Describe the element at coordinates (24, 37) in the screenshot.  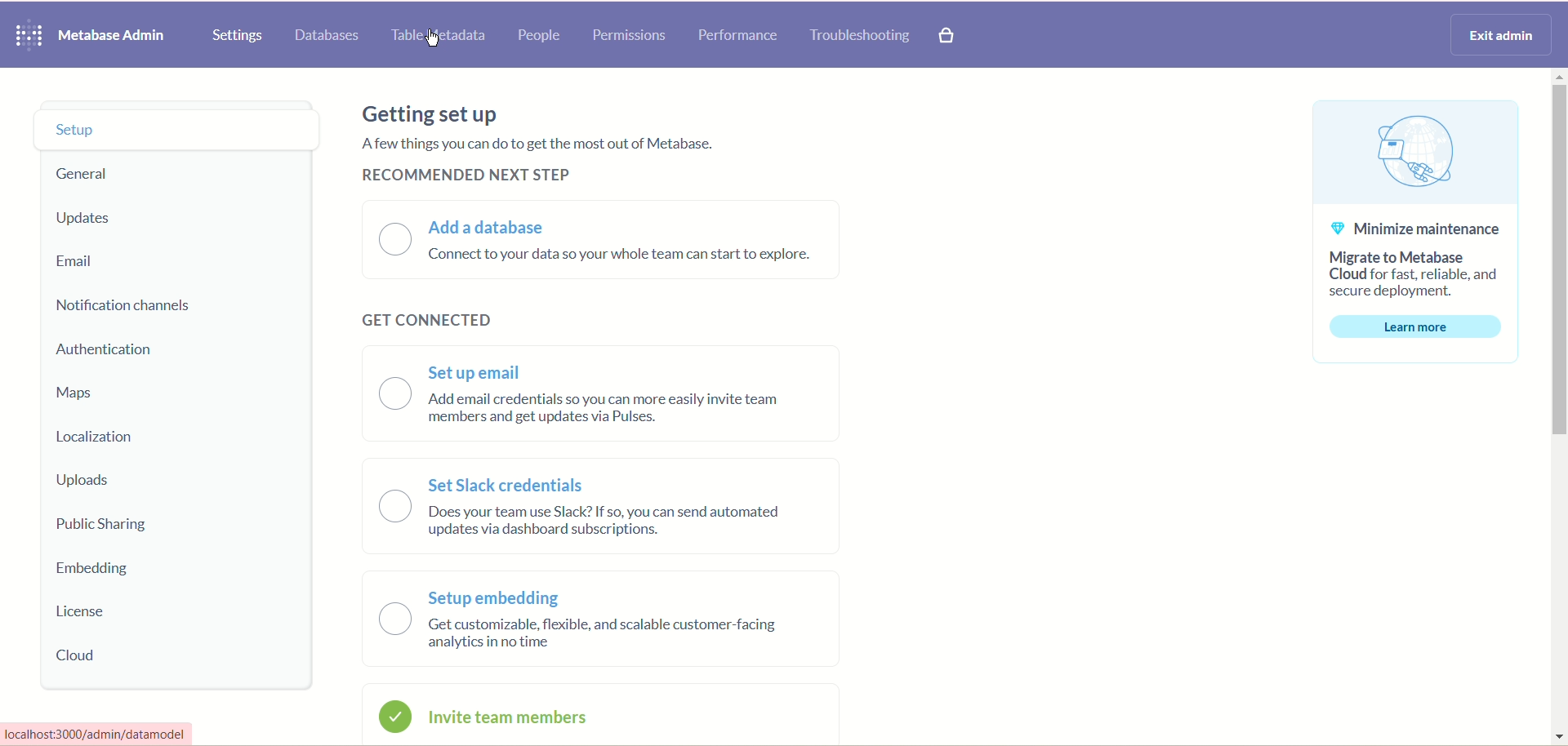
I see `logo` at that location.